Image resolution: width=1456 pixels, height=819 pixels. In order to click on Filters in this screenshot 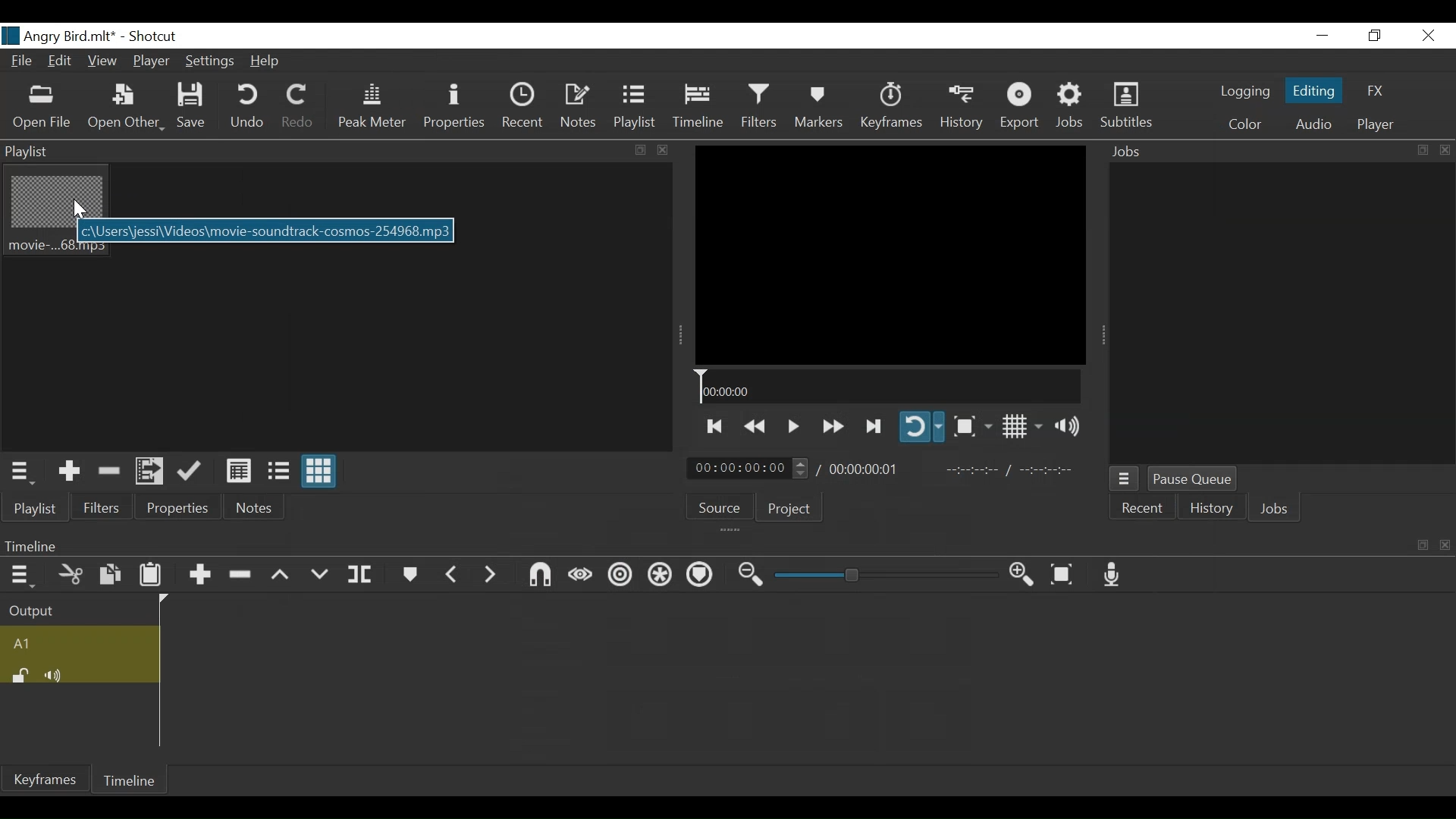, I will do `click(99, 507)`.